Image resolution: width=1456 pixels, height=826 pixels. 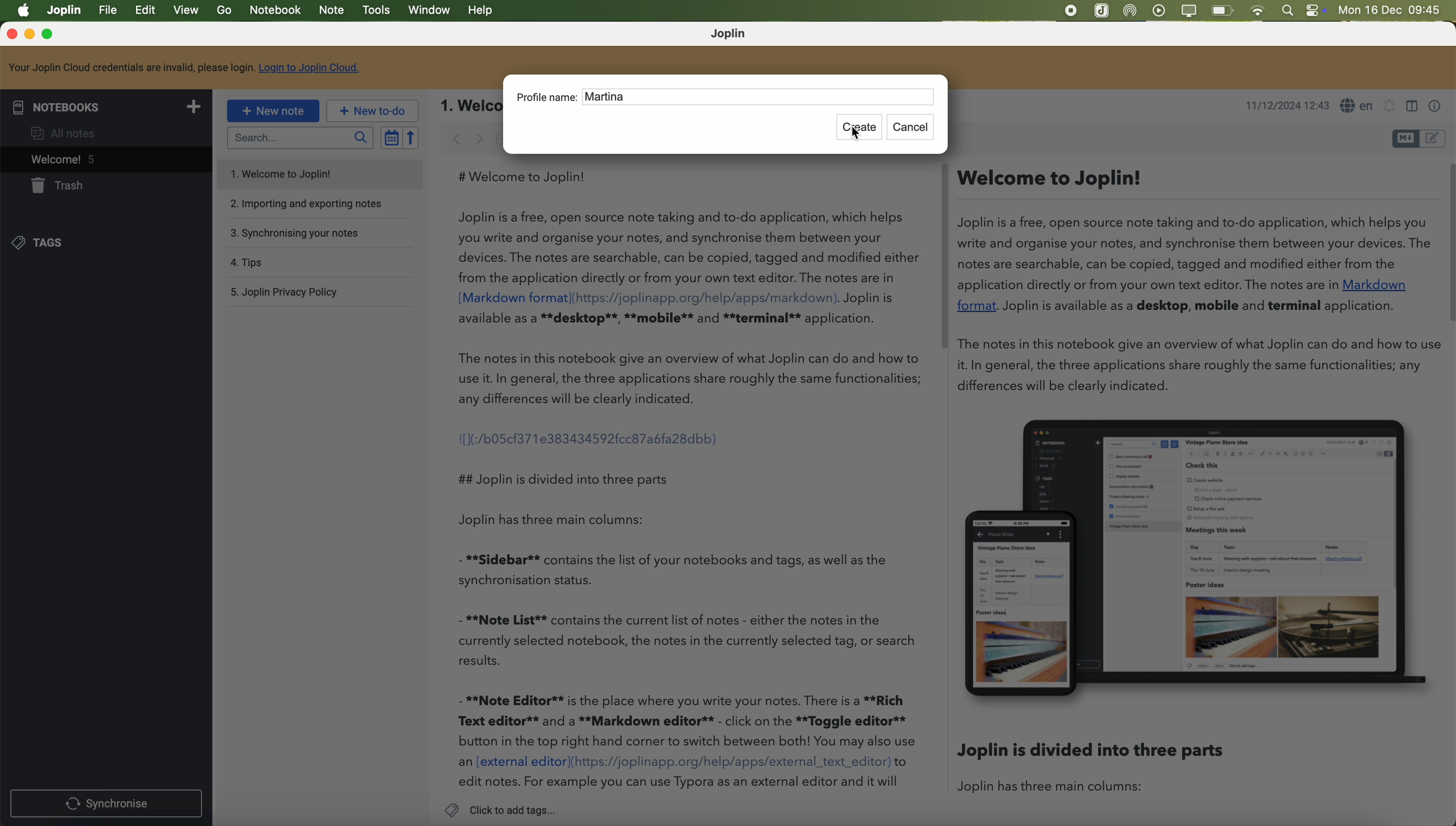 I want to click on Profile name:, so click(x=546, y=97).